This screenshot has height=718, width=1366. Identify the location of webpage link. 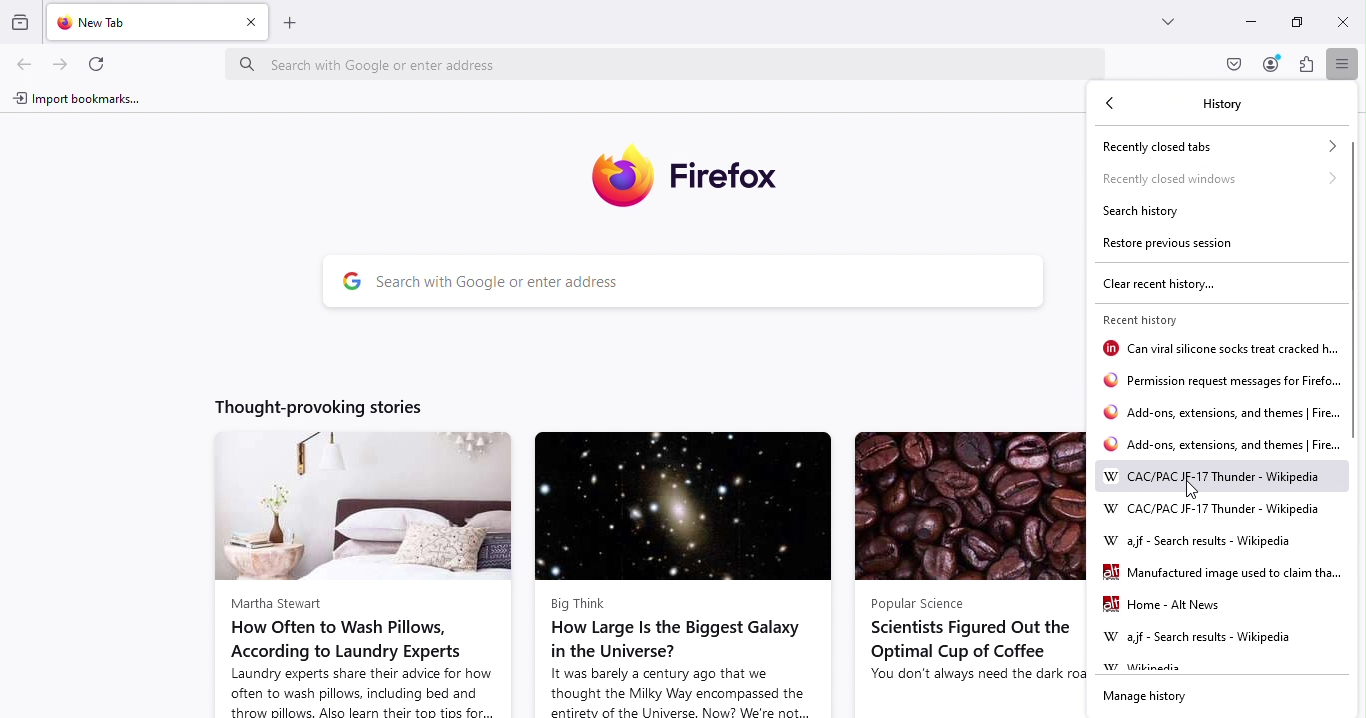
(1173, 608).